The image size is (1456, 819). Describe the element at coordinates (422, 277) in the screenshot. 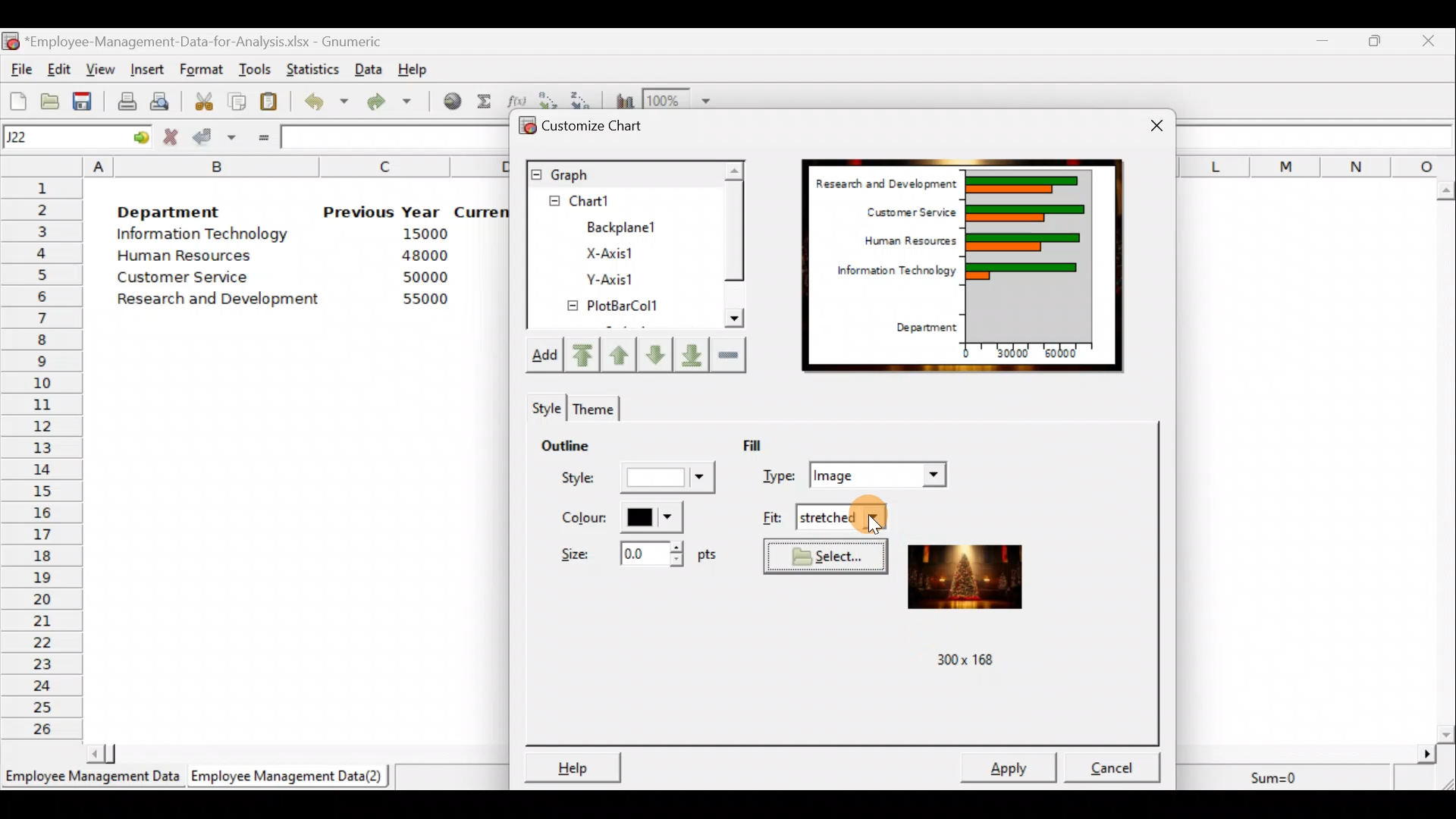

I see `50000` at that location.